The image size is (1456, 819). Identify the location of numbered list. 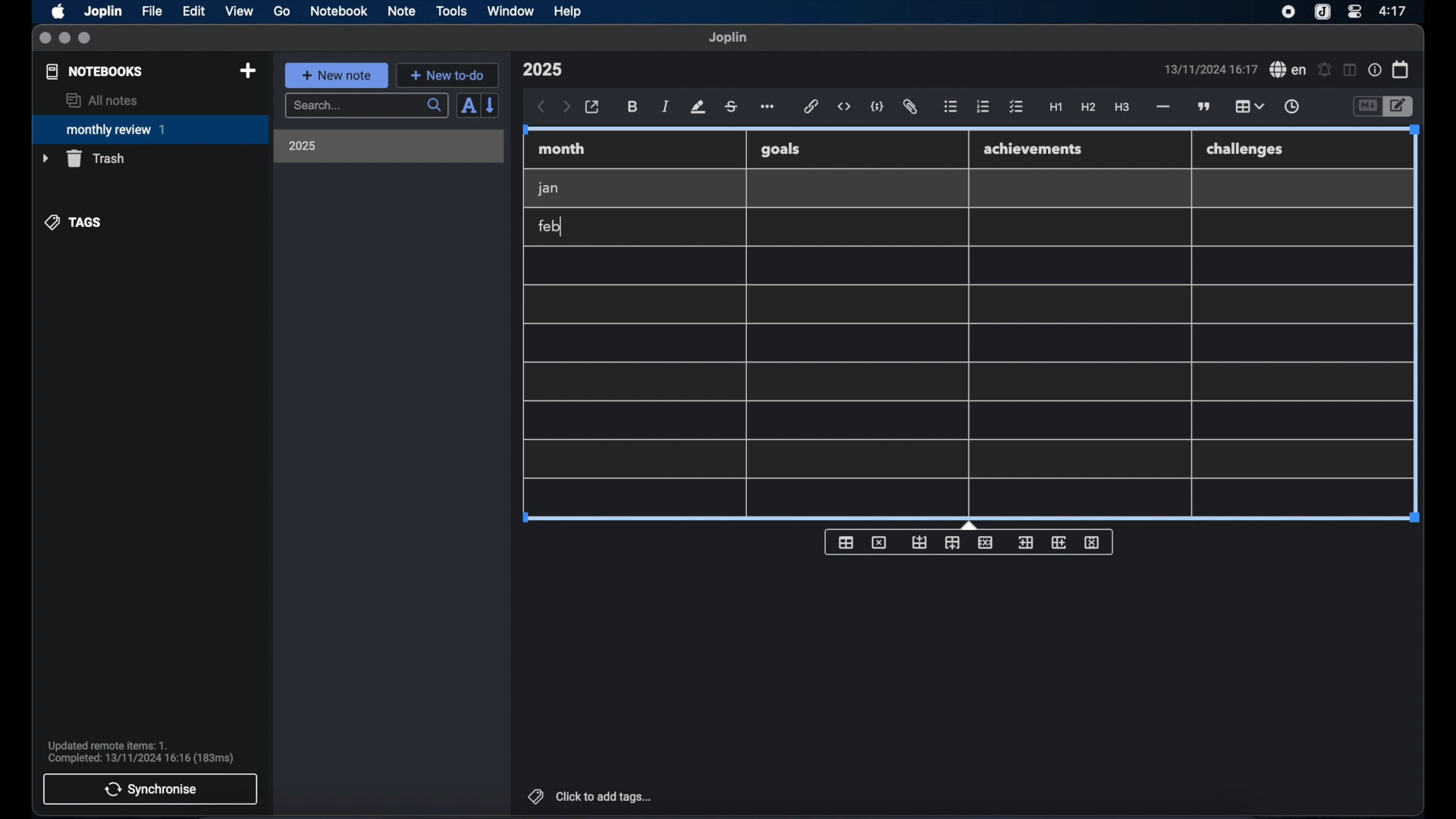
(983, 106).